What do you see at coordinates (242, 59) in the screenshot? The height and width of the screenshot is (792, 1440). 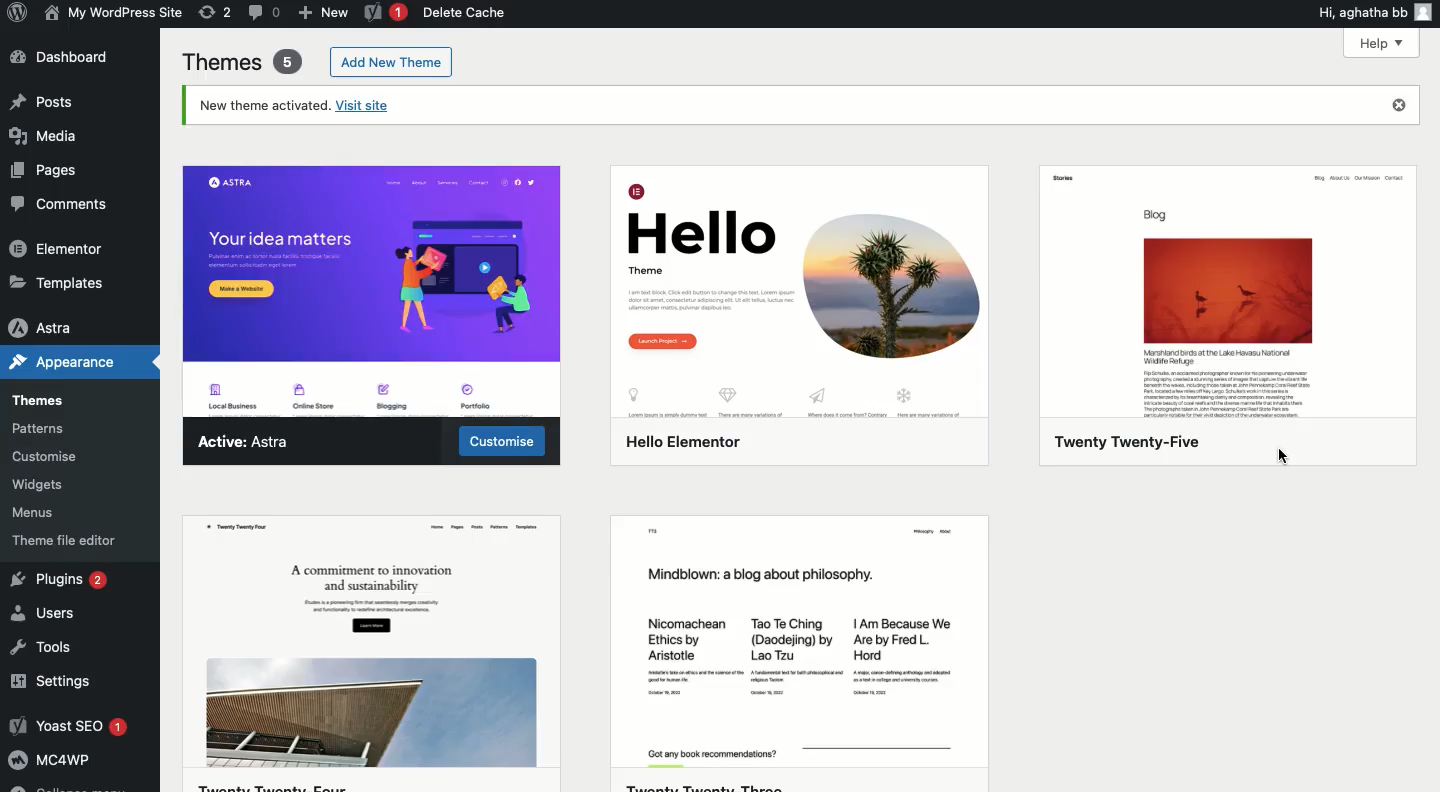 I see `Themes 5` at bounding box center [242, 59].